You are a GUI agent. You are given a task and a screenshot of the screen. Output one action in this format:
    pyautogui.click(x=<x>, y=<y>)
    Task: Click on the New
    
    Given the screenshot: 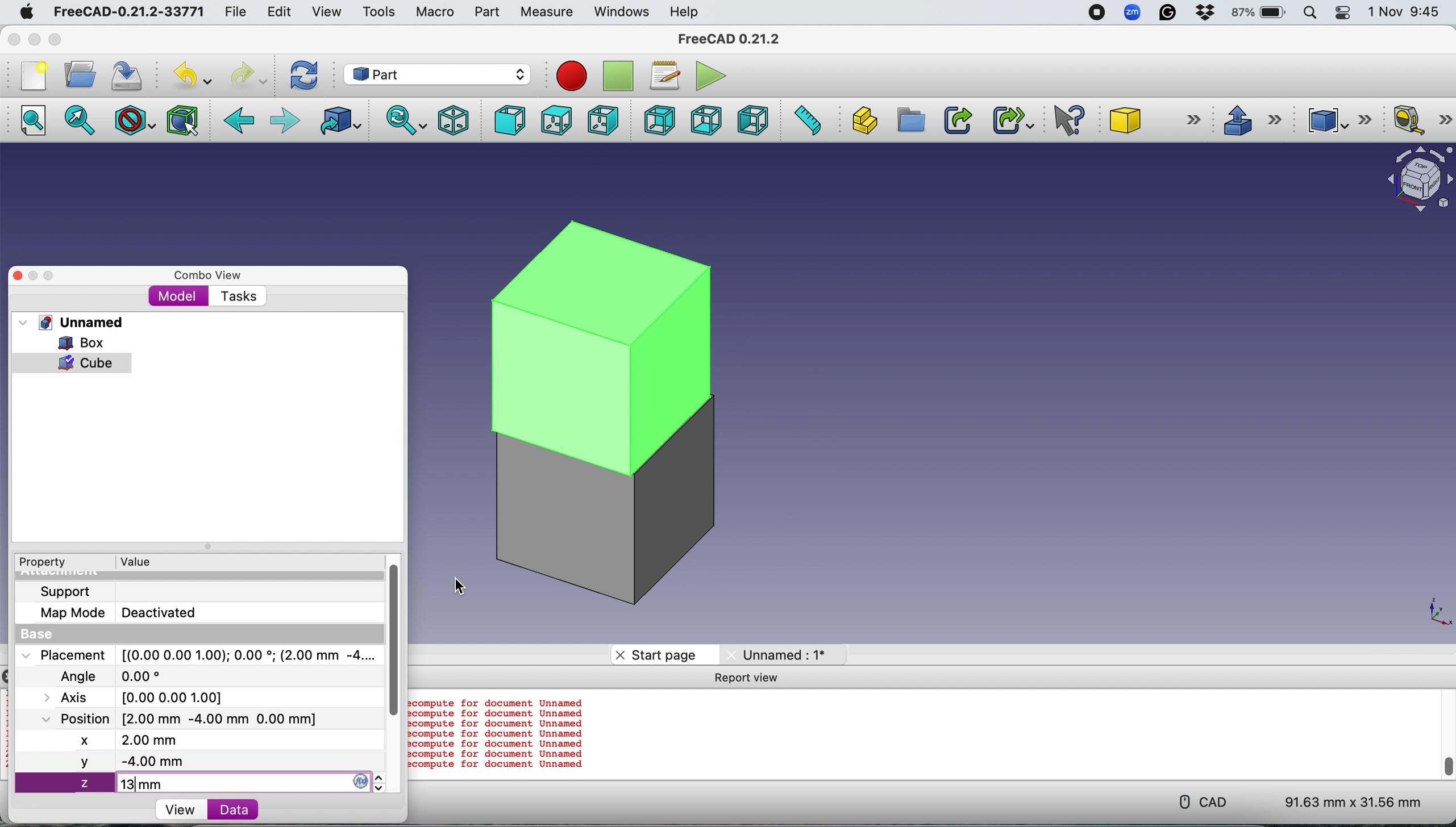 What is the action you would take?
    pyautogui.click(x=32, y=76)
    